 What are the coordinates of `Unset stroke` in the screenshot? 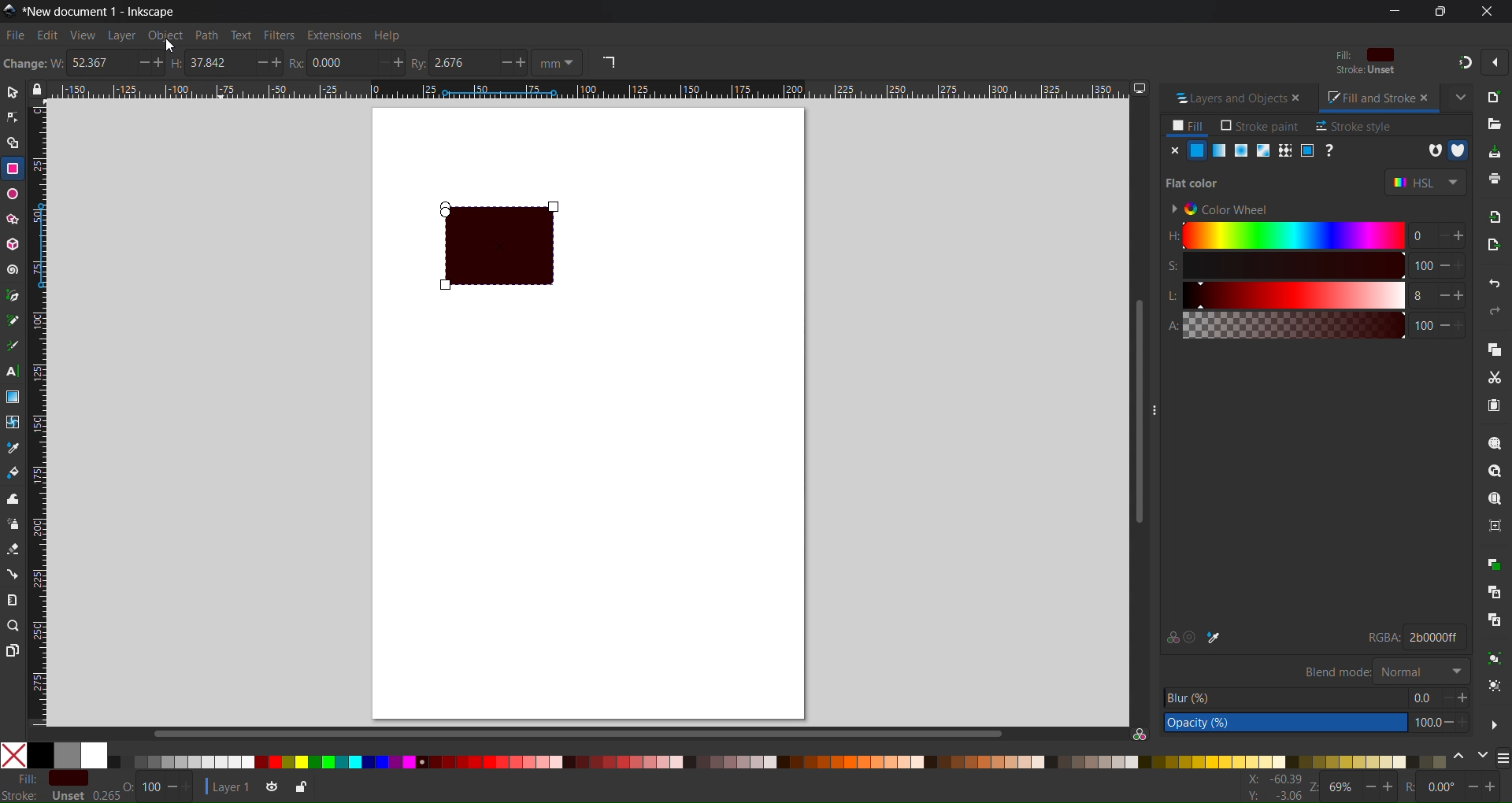 It's located at (67, 796).